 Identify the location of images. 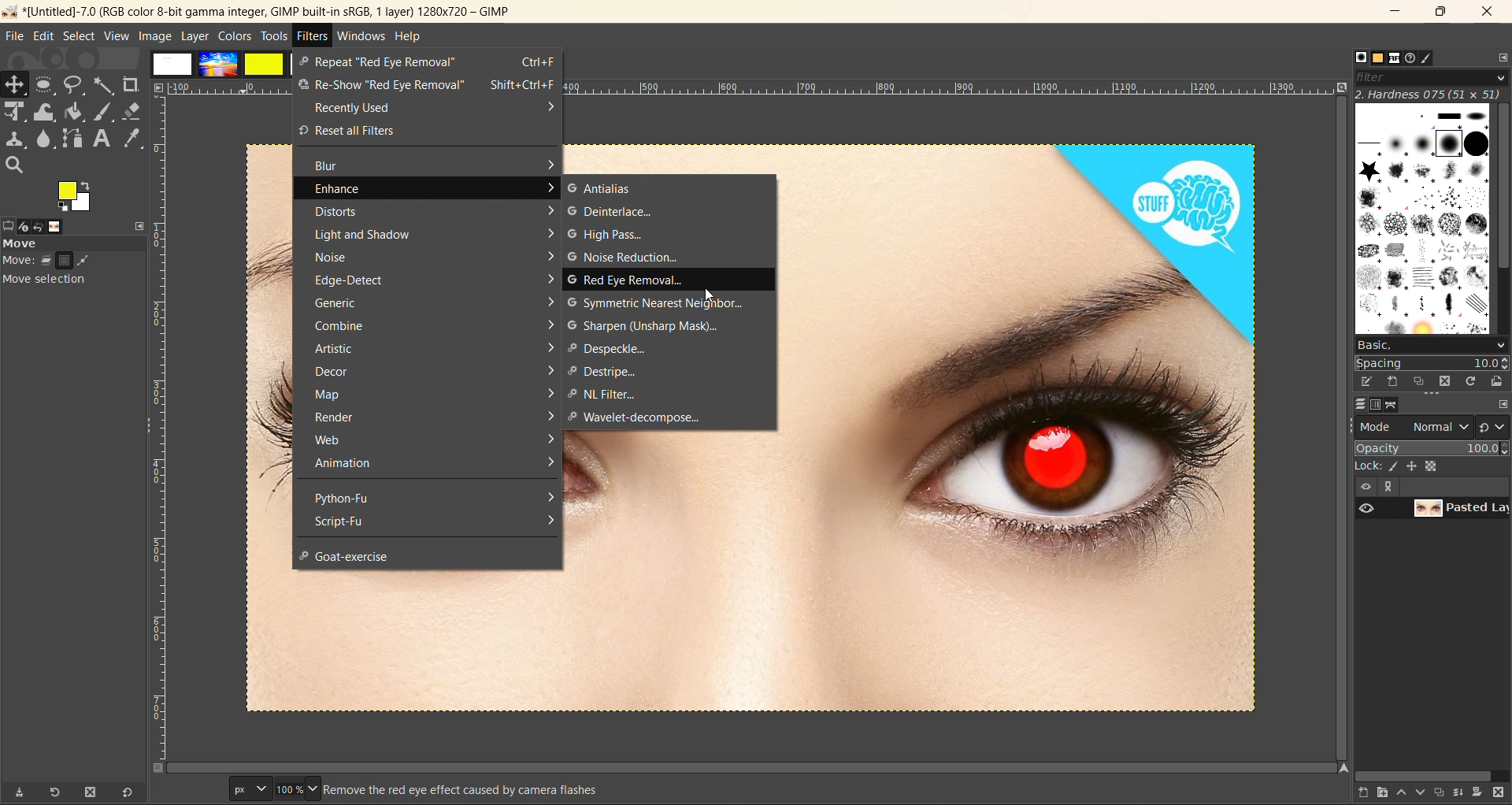
(61, 226).